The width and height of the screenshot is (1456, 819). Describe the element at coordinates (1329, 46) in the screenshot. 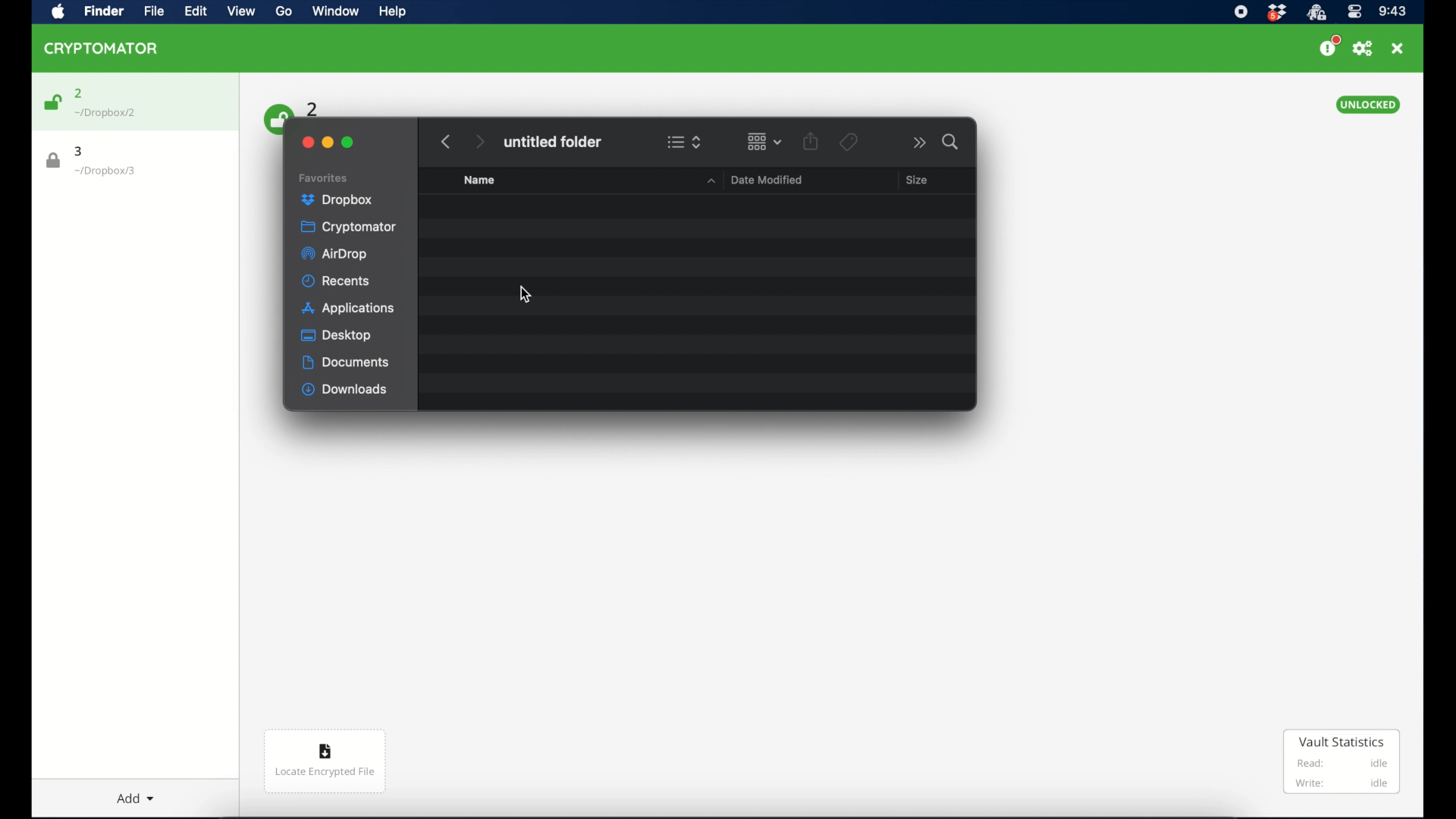

I see `support us` at that location.